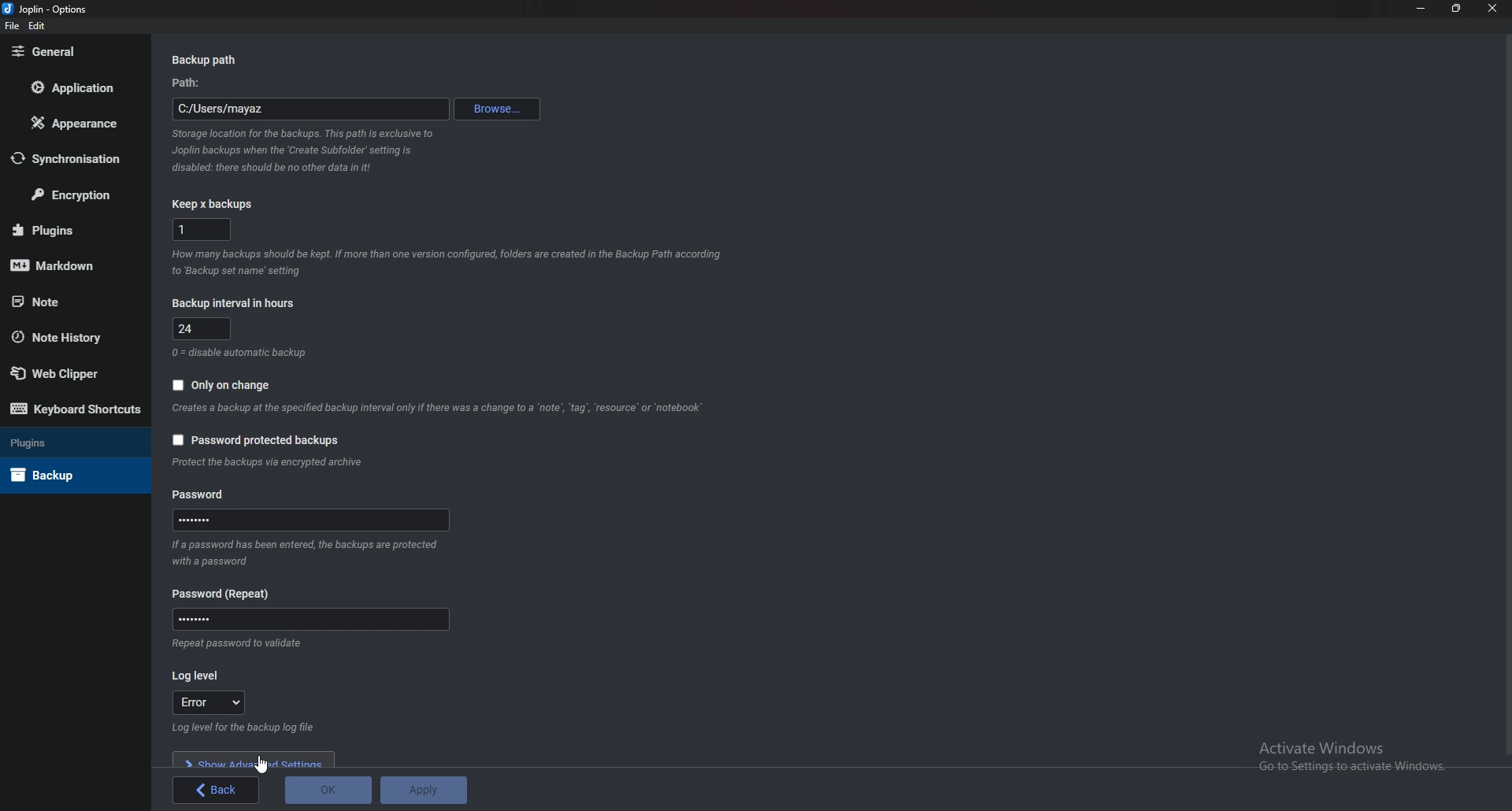 The width and height of the screenshot is (1512, 811). What do you see at coordinates (199, 495) in the screenshot?
I see `Password` at bounding box center [199, 495].